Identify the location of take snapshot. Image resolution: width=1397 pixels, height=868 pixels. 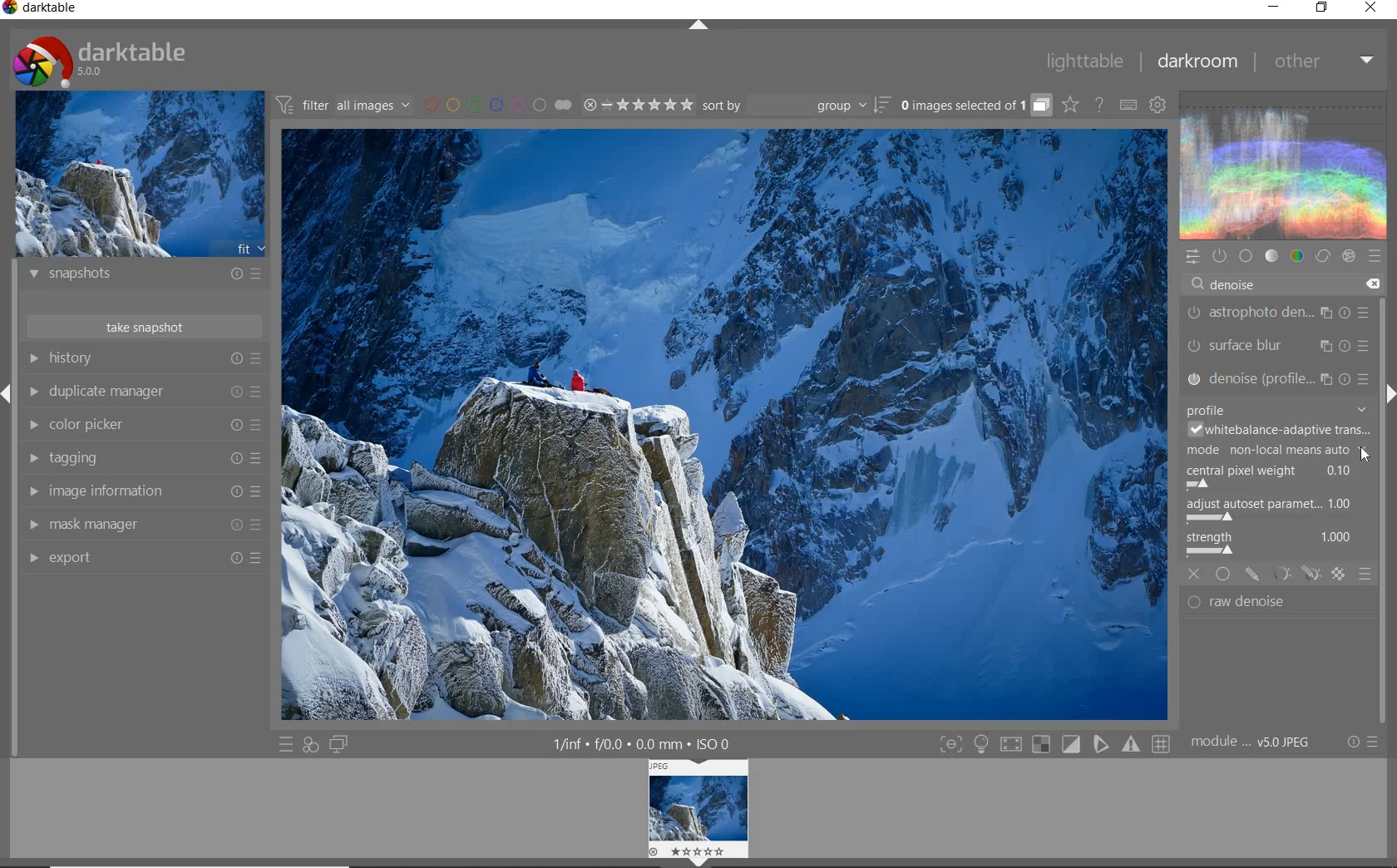
(147, 326).